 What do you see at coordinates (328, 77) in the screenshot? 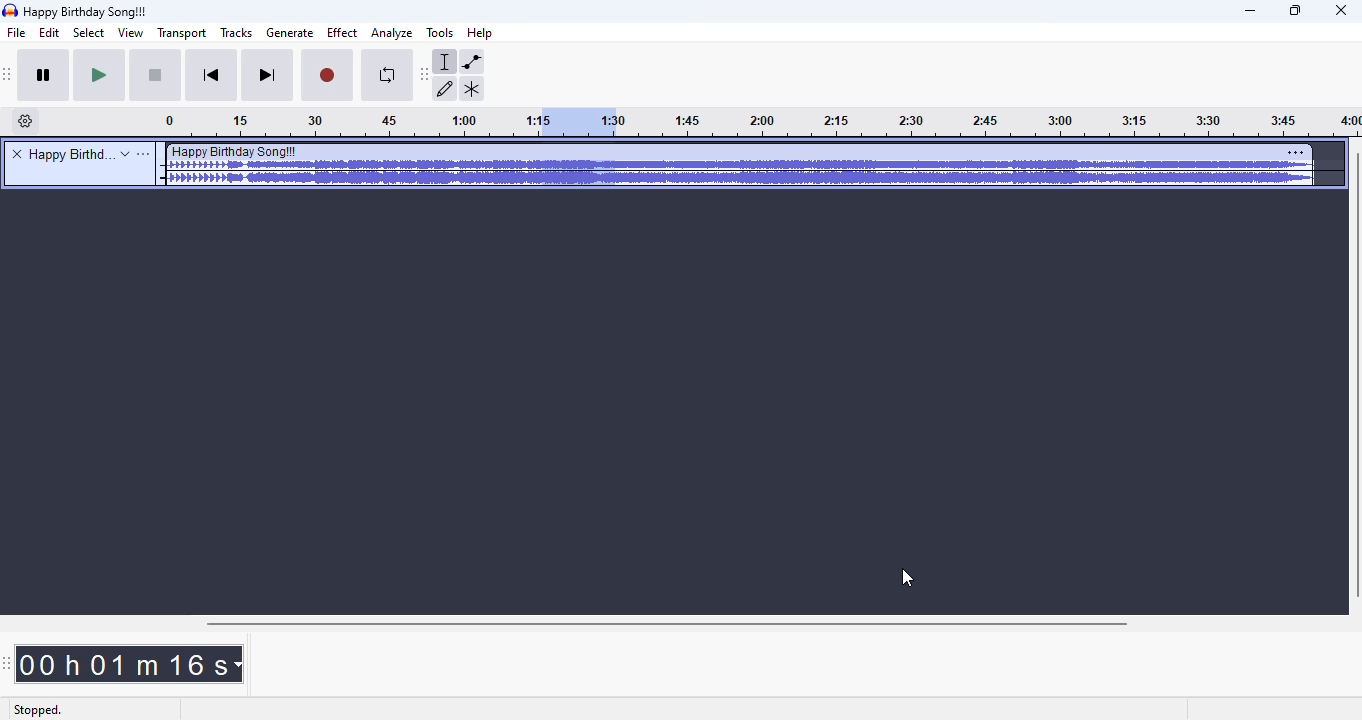
I see `record` at bounding box center [328, 77].